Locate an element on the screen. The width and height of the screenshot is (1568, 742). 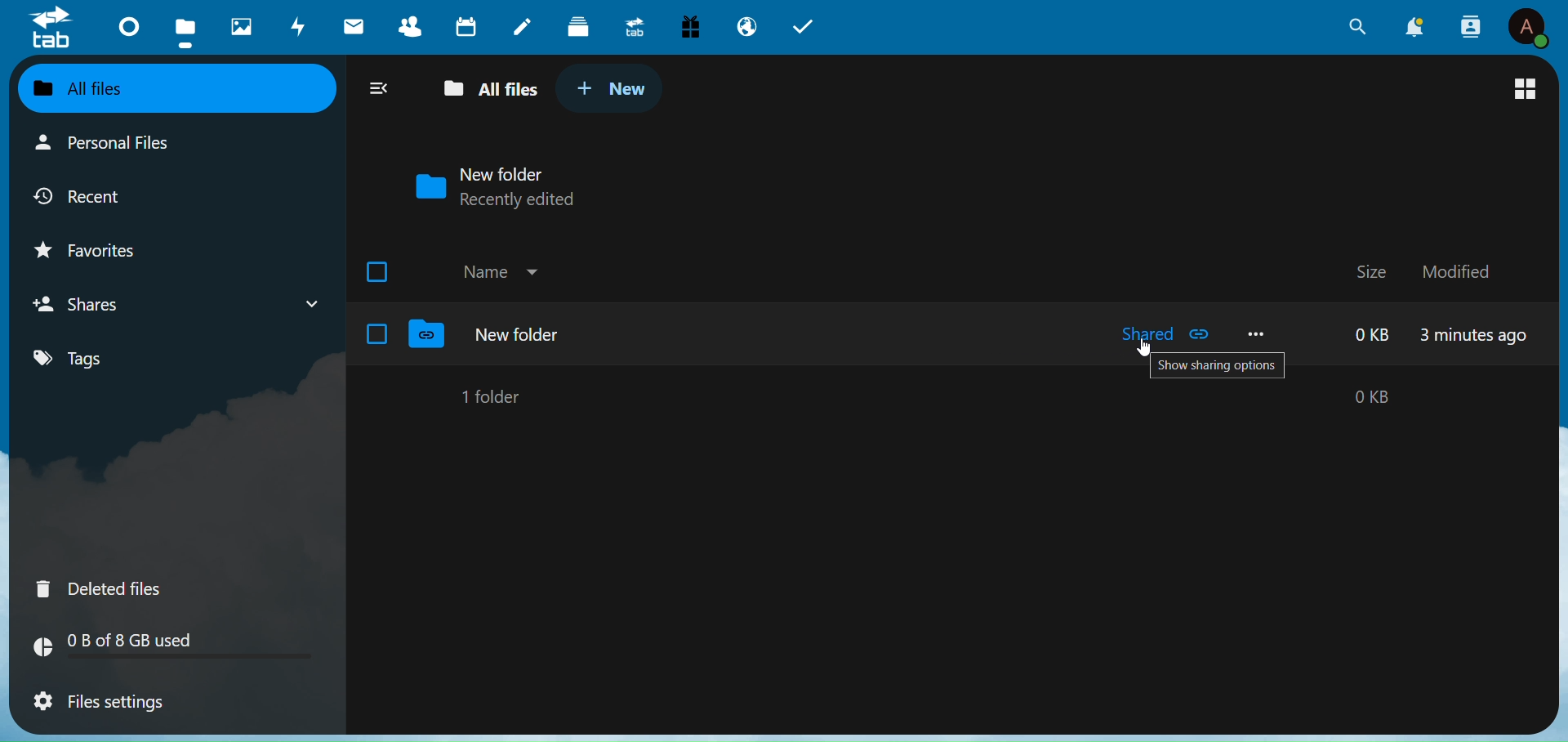
SIze is located at coordinates (1370, 270).